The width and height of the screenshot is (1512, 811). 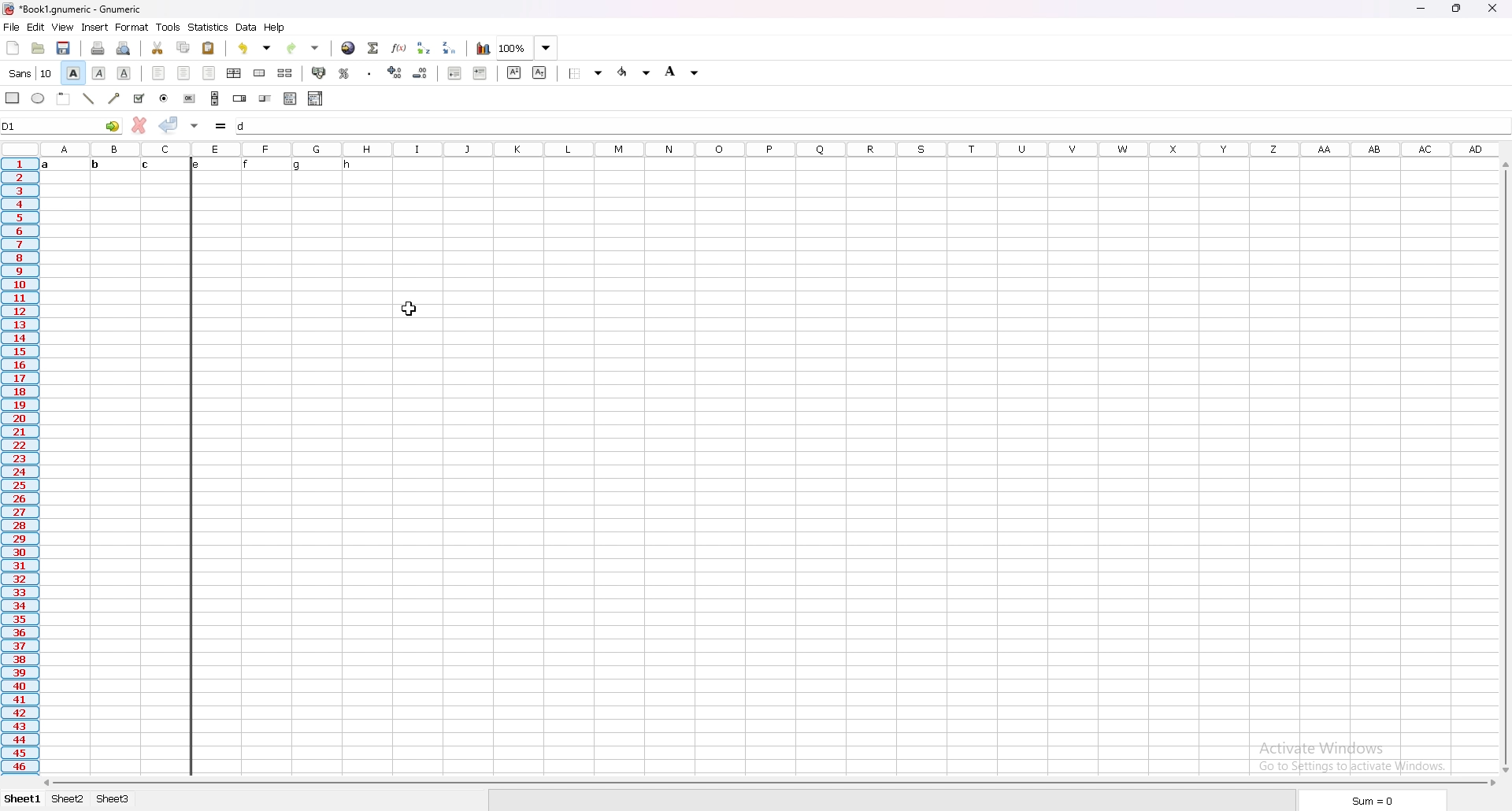 I want to click on scroll bar, so click(x=1504, y=468).